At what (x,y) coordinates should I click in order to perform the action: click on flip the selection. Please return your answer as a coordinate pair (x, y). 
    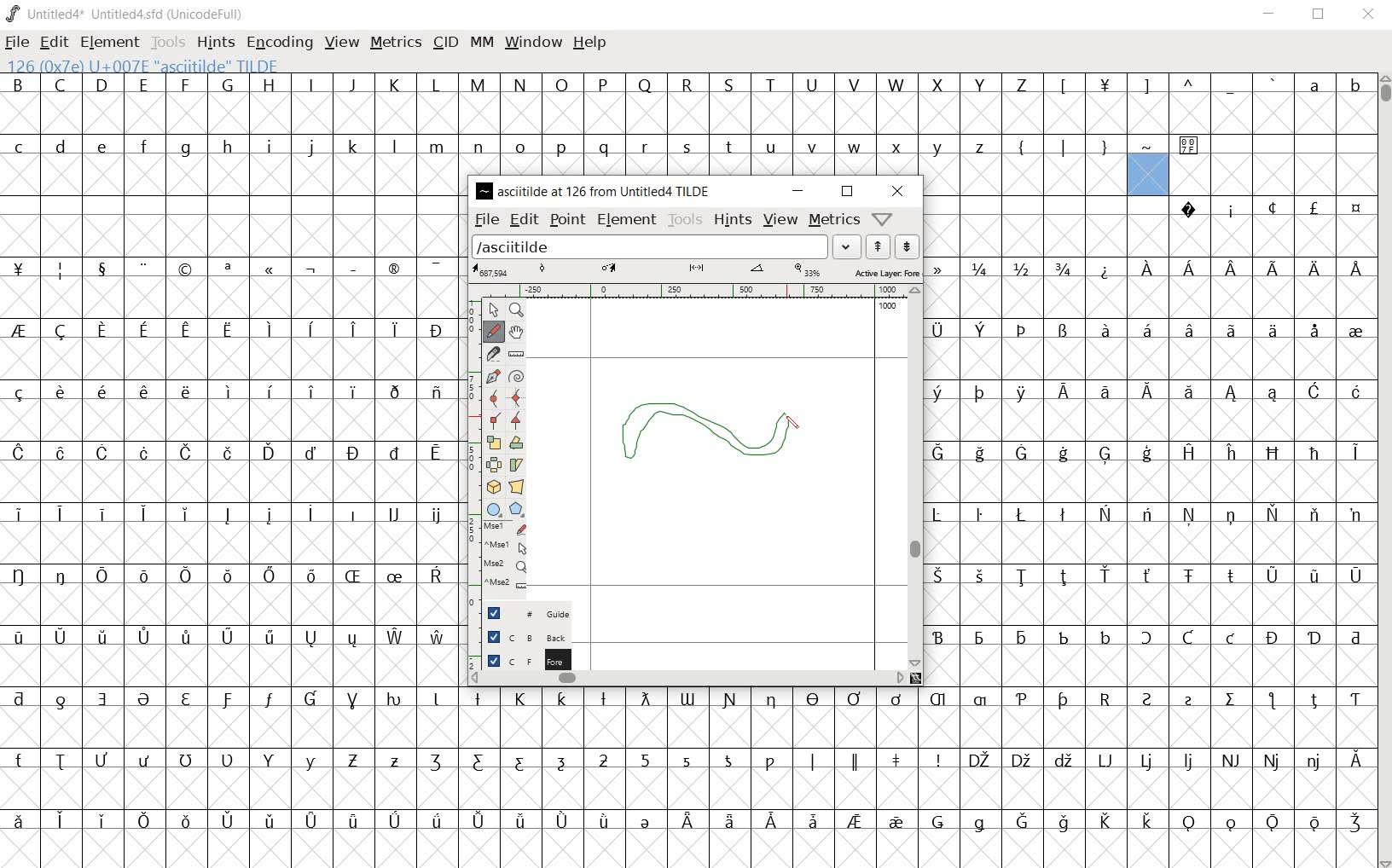
    Looking at the image, I should click on (495, 465).